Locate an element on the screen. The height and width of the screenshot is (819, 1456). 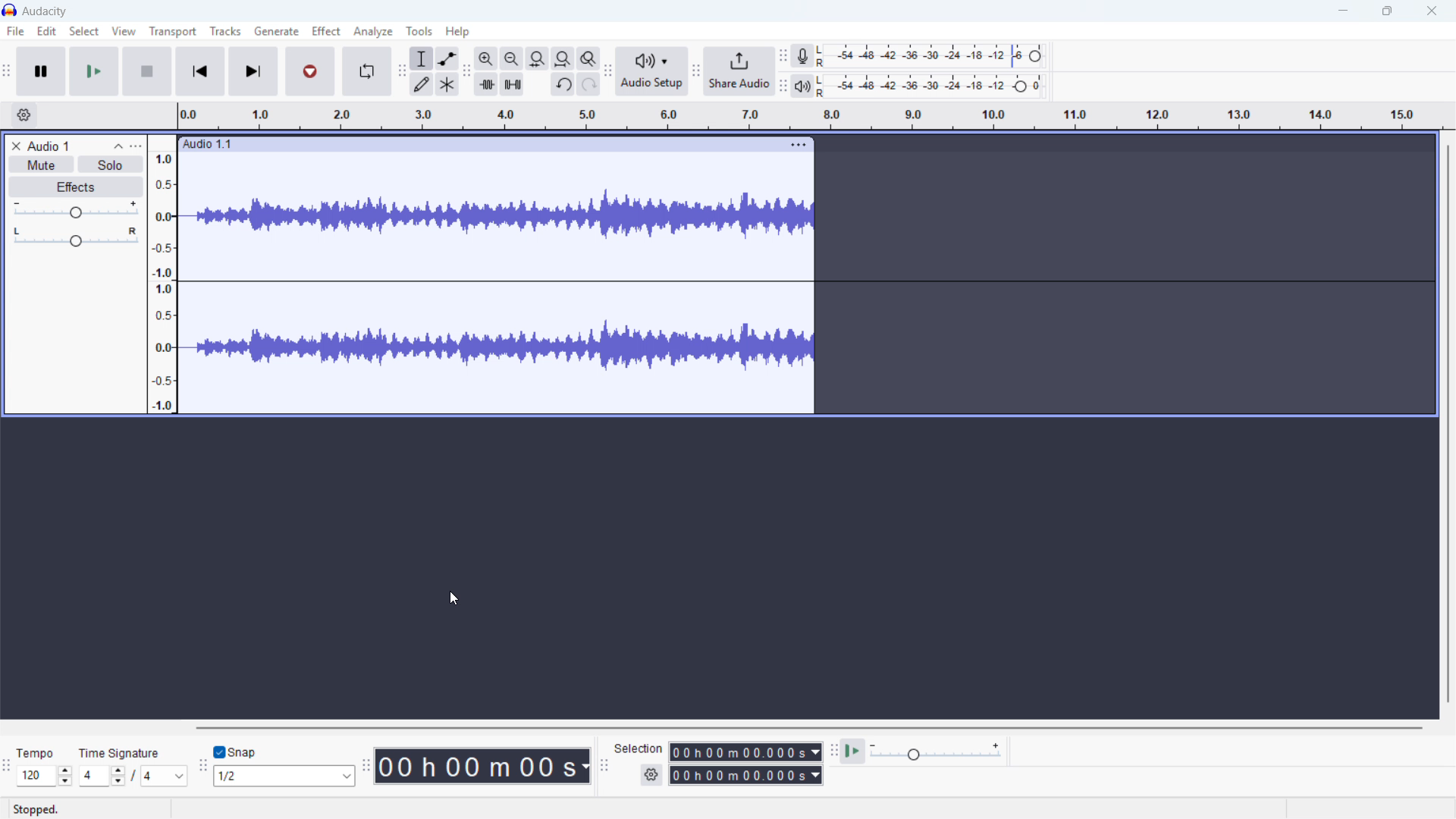
Vertical scroll bar  is located at coordinates (1448, 424).